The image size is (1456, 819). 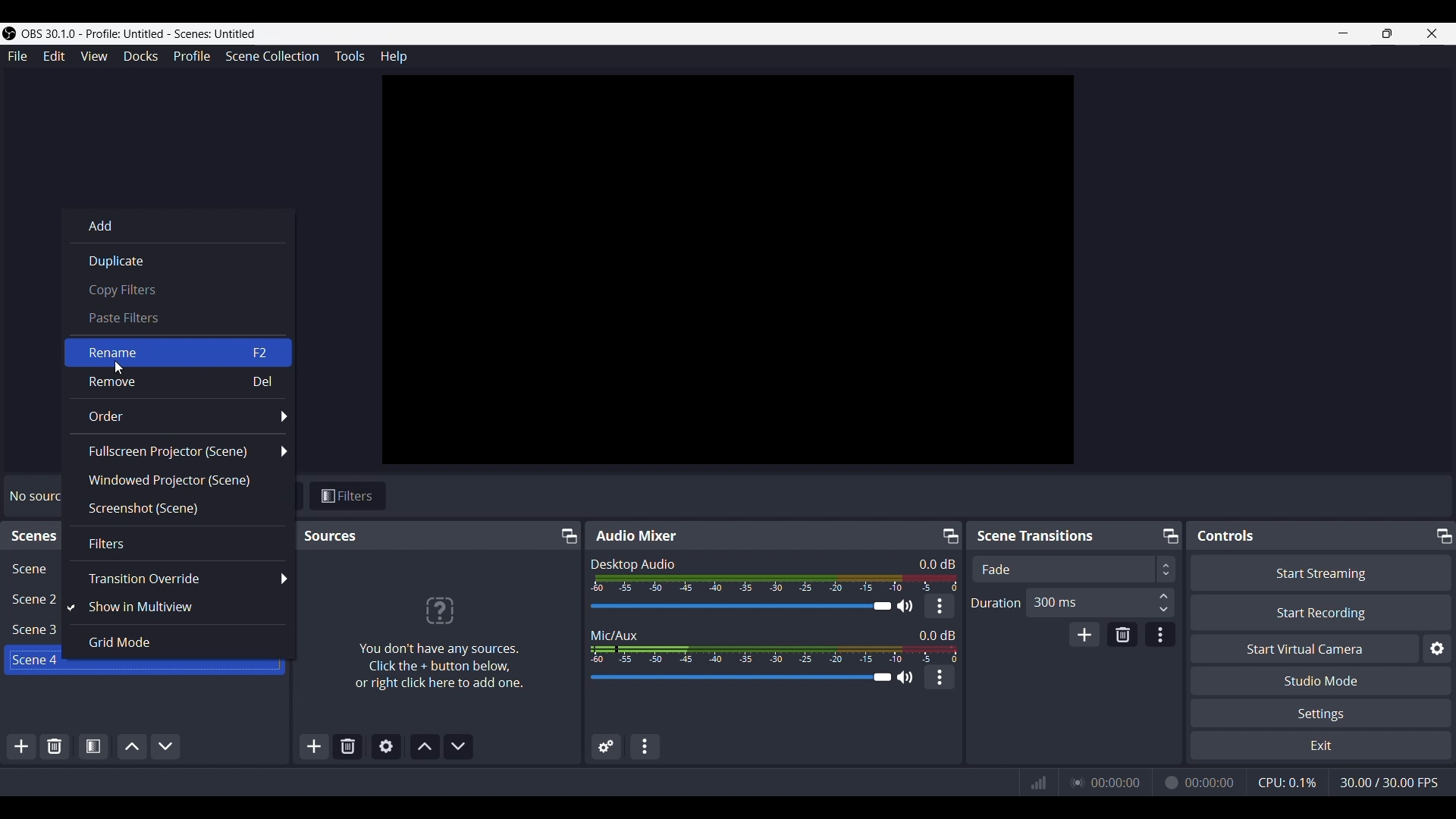 What do you see at coordinates (932, 563) in the screenshot?
I see `Audio Level Indicator` at bounding box center [932, 563].